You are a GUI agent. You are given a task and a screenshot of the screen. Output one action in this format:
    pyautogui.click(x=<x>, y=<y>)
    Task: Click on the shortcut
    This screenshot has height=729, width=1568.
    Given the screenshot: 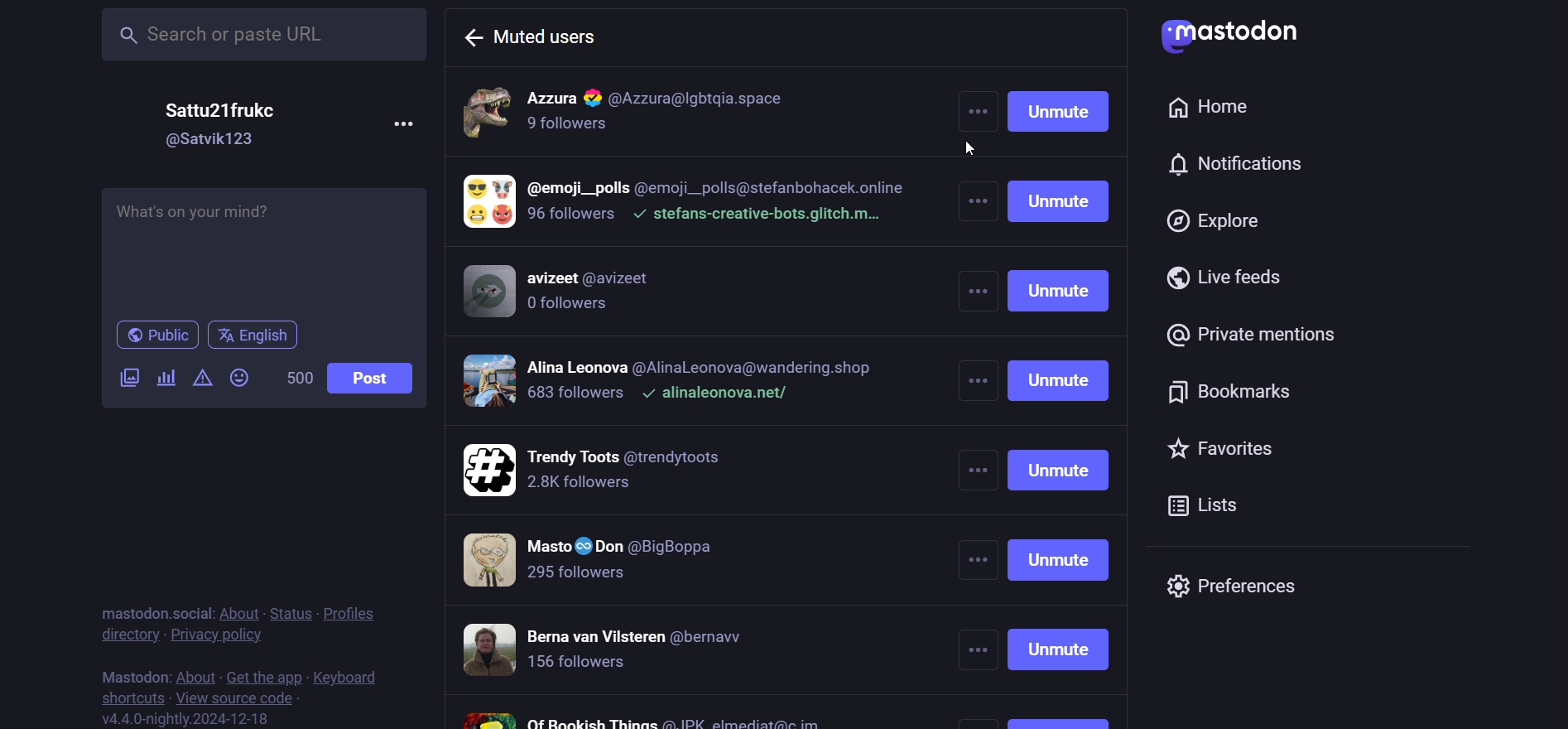 What is the action you would take?
    pyautogui.click(x=129, y=698)
    